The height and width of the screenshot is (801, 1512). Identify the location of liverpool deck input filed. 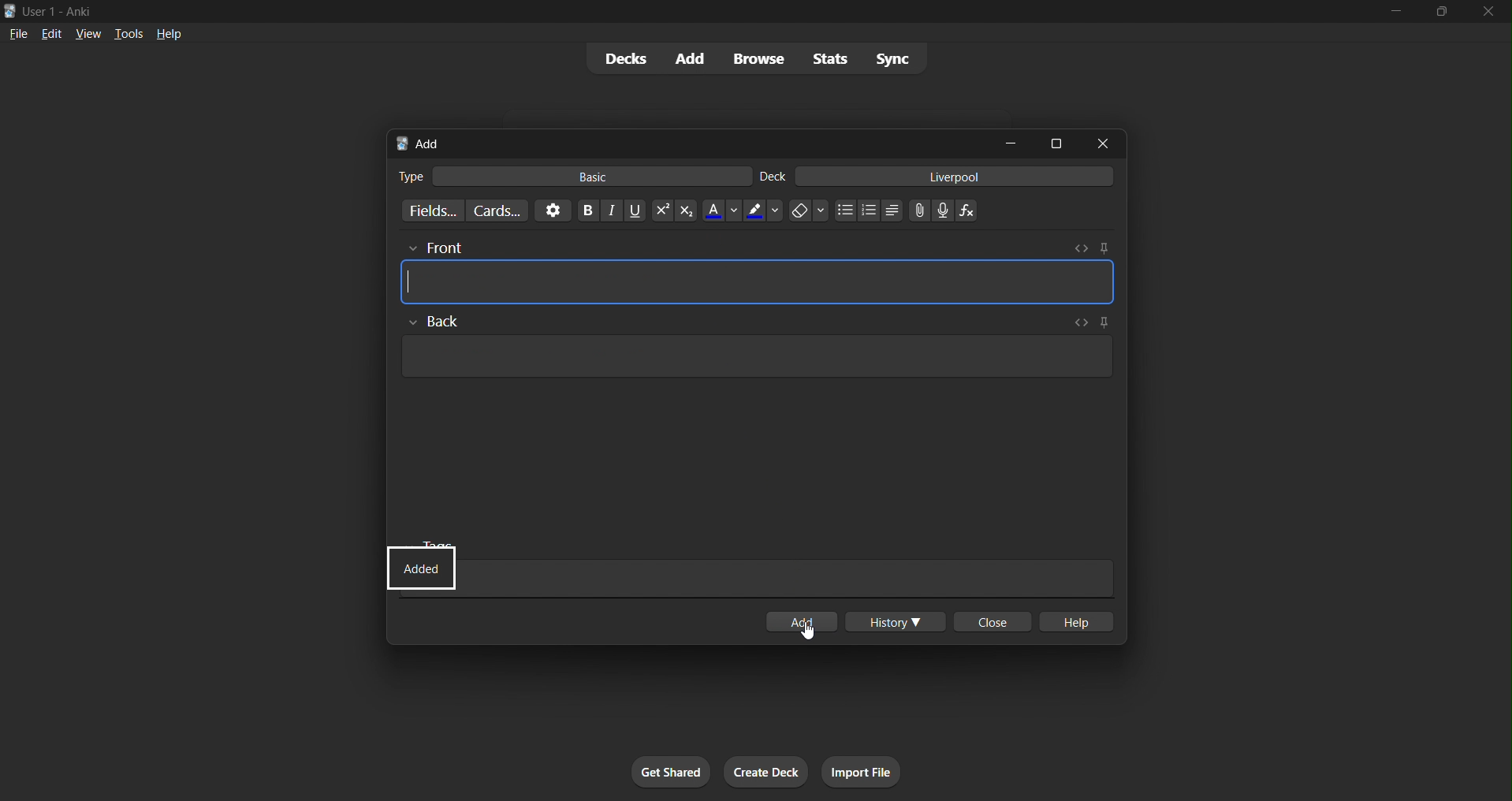
(937, 176).